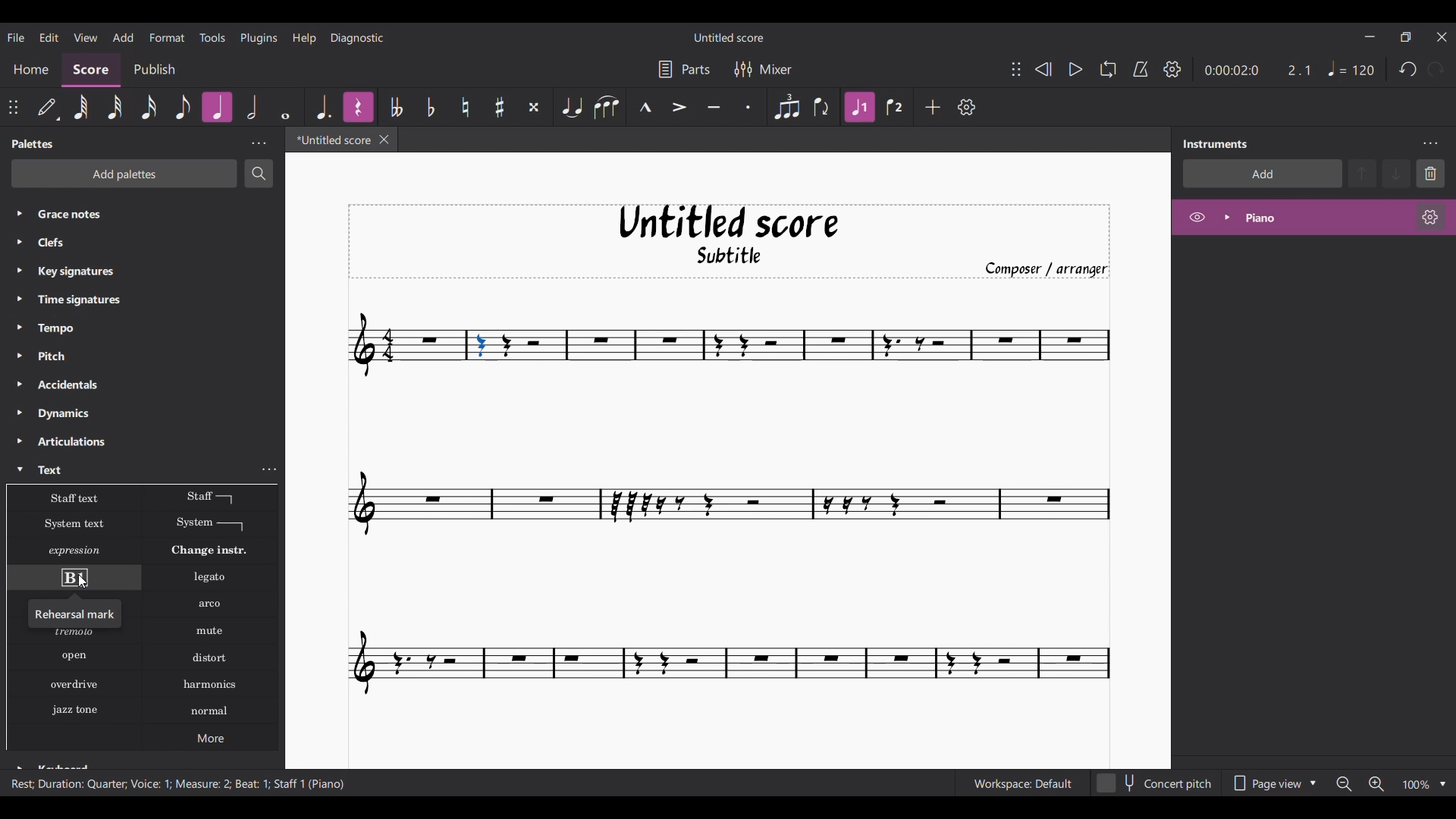  Describe the element at coordinates (34, 143) in the screenshot. I see `Panel title` at that location.